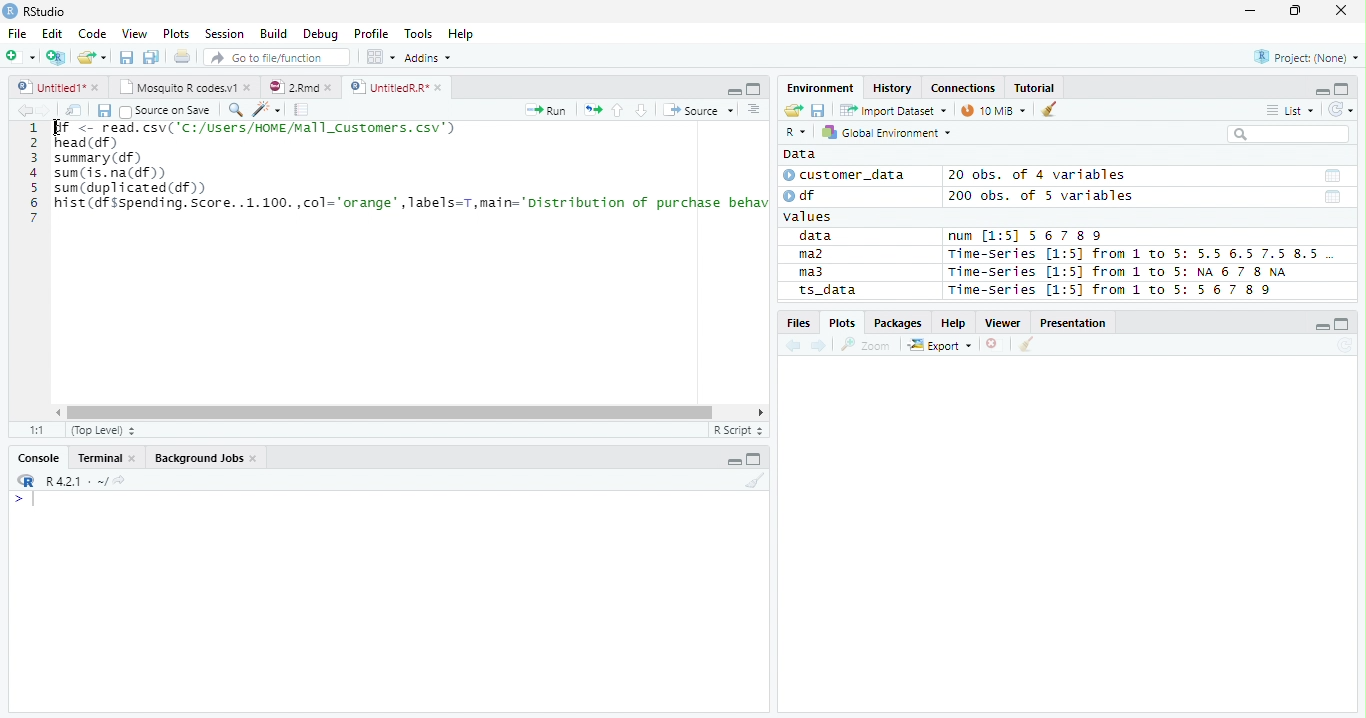 The width and height of the screenshot is (1366, 718). Describe the element at coordinates (302, 110) in the screenshot. I see `Compile Report` at that location.